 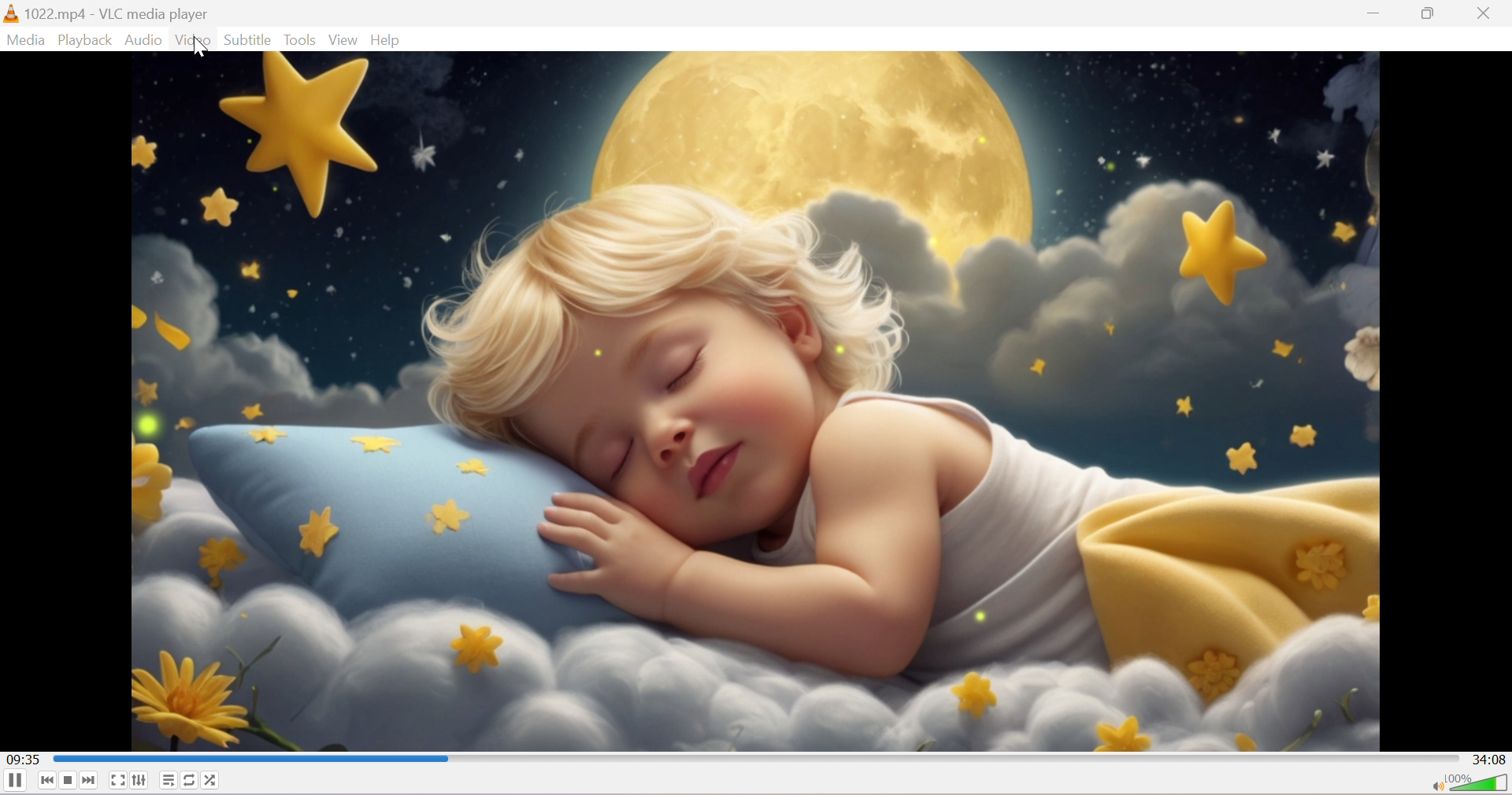 I want to click on 09:35, so click(x=23, y=758).